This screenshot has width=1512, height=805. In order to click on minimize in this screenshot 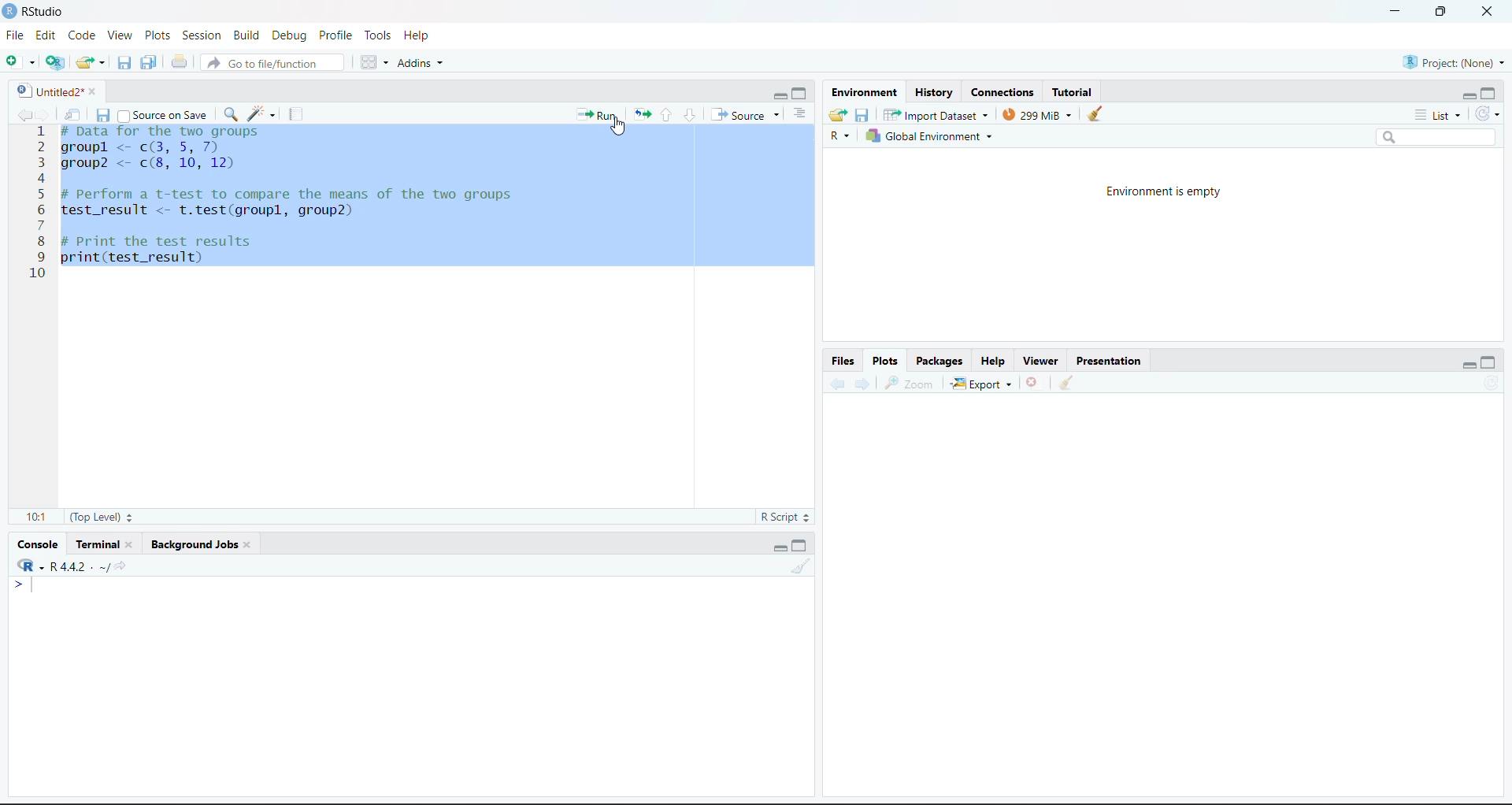, I will do `click(1395, 9)`.